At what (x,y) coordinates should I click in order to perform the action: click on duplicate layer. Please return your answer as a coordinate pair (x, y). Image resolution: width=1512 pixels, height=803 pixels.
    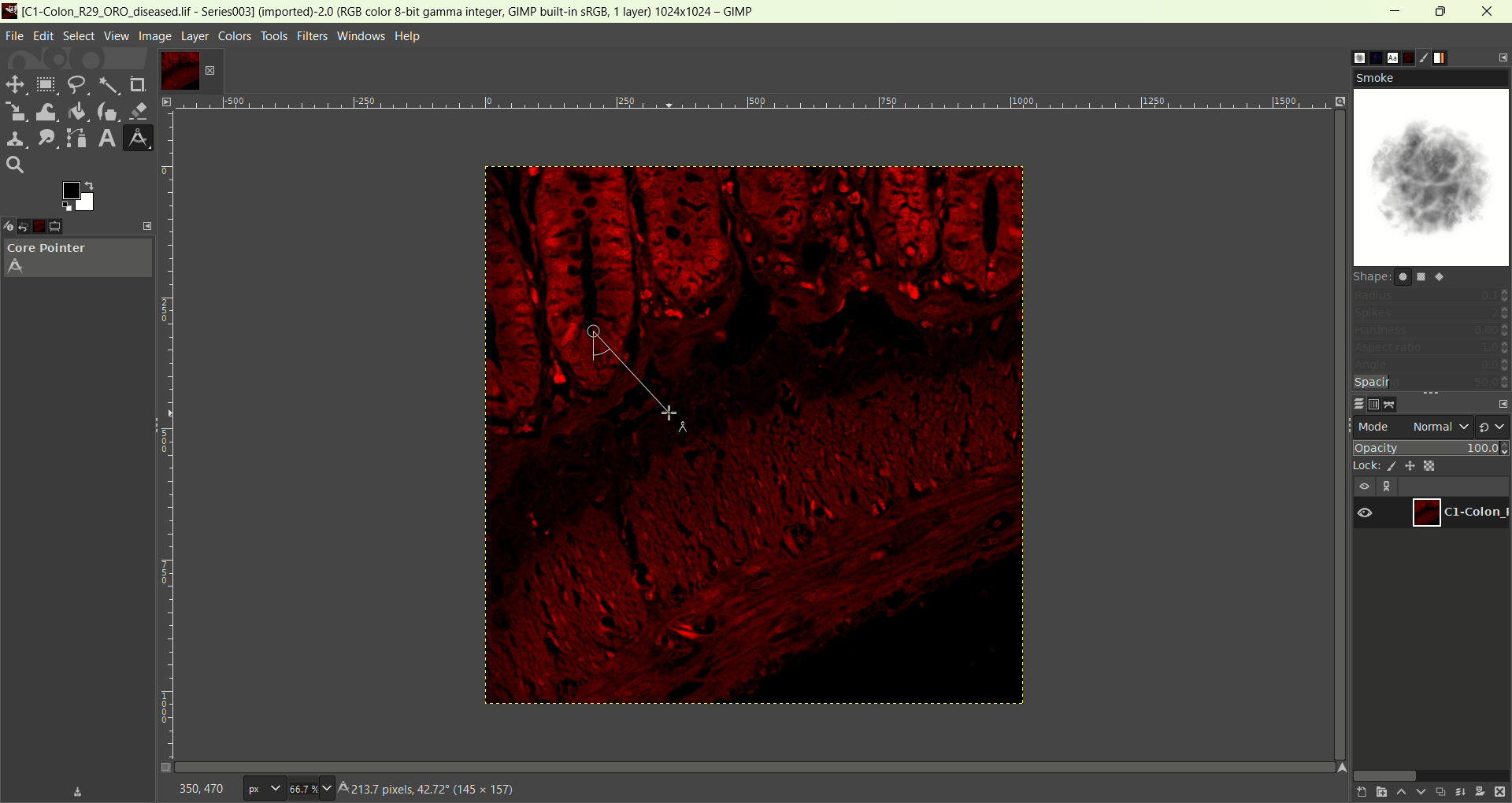
    Looking at the image, I should click on (1440, 791).